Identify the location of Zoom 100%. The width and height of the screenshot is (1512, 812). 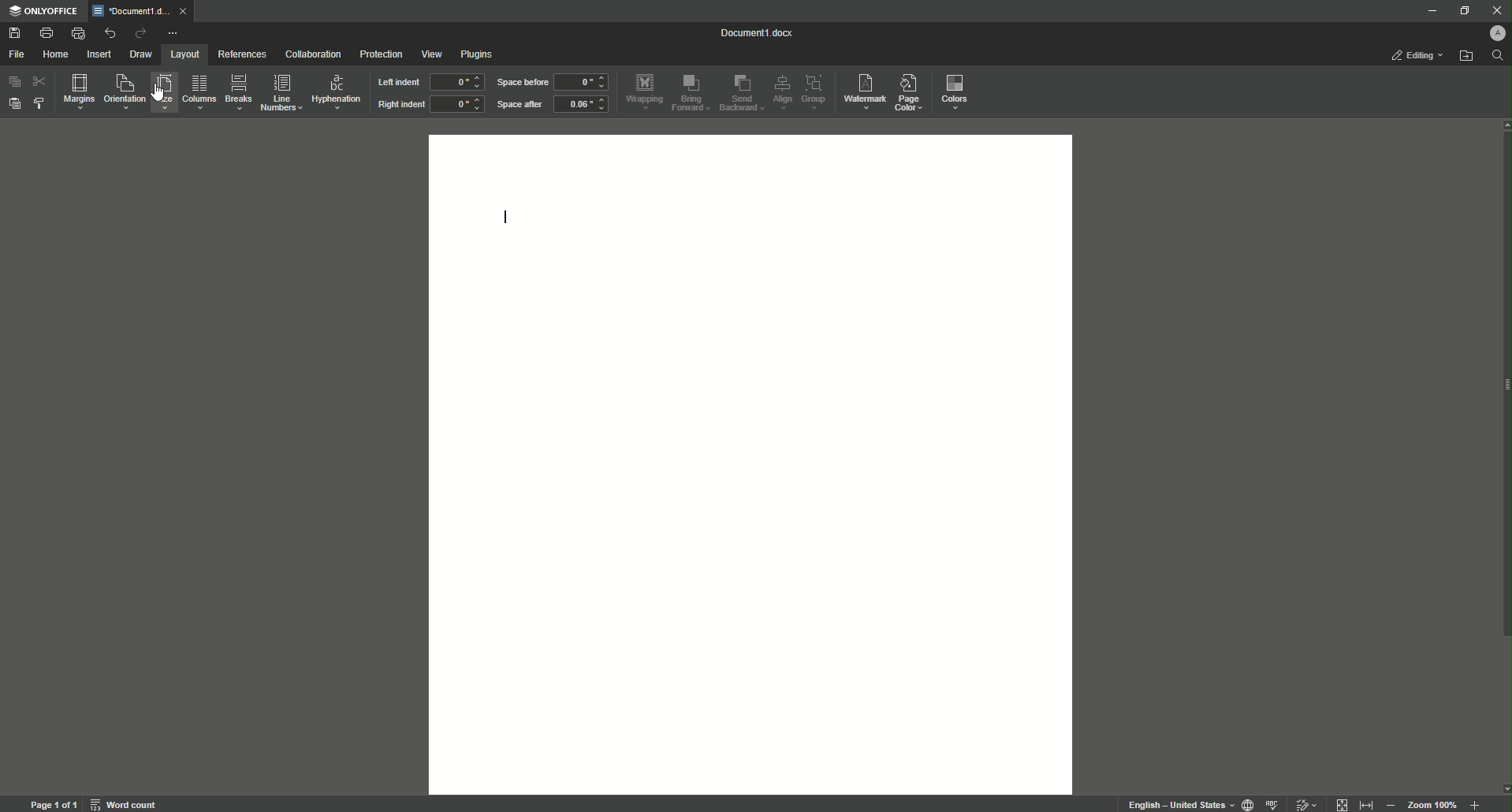
(1432, 804).